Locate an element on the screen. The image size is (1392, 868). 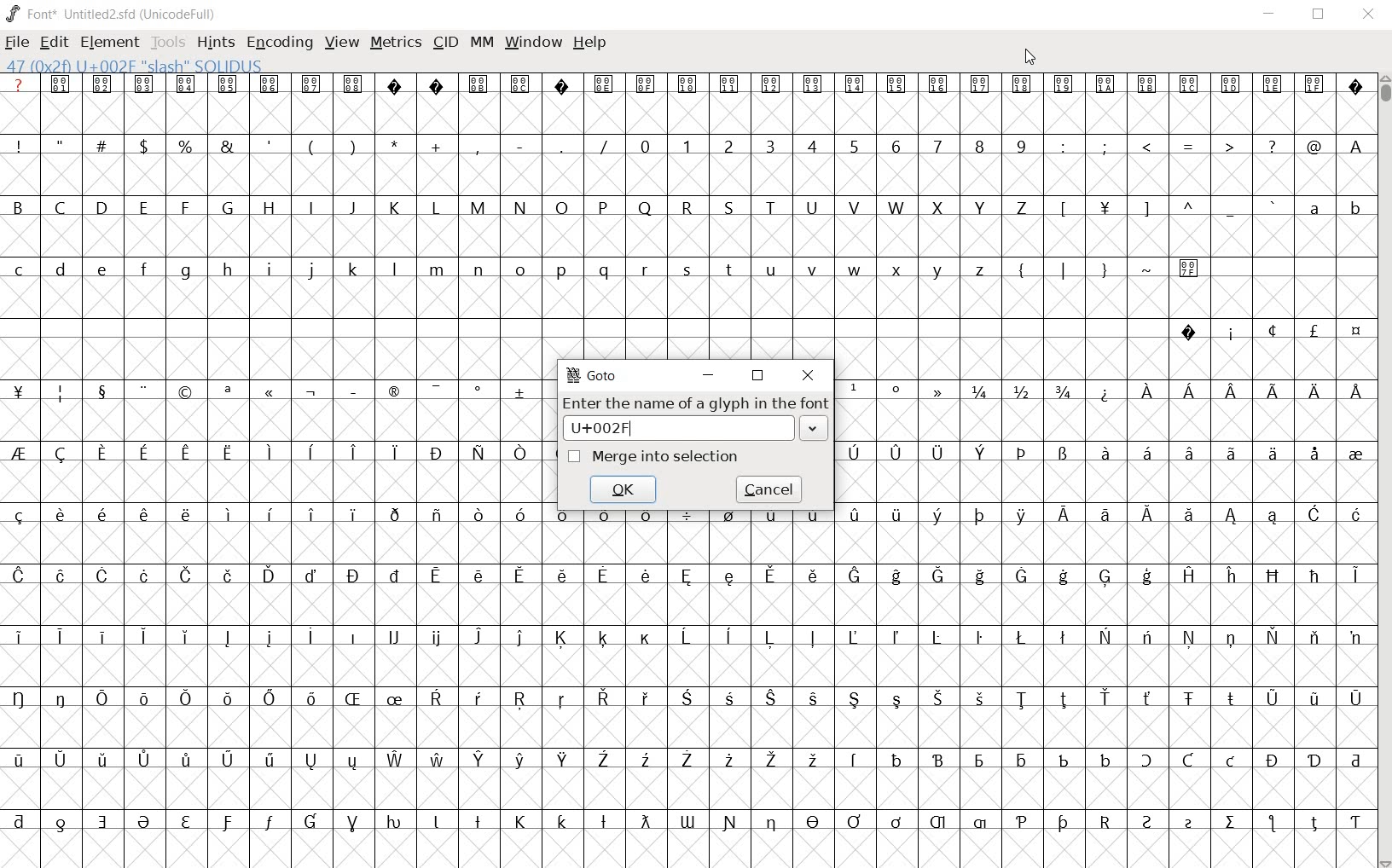
symbols is located at coordinates (316, 144).